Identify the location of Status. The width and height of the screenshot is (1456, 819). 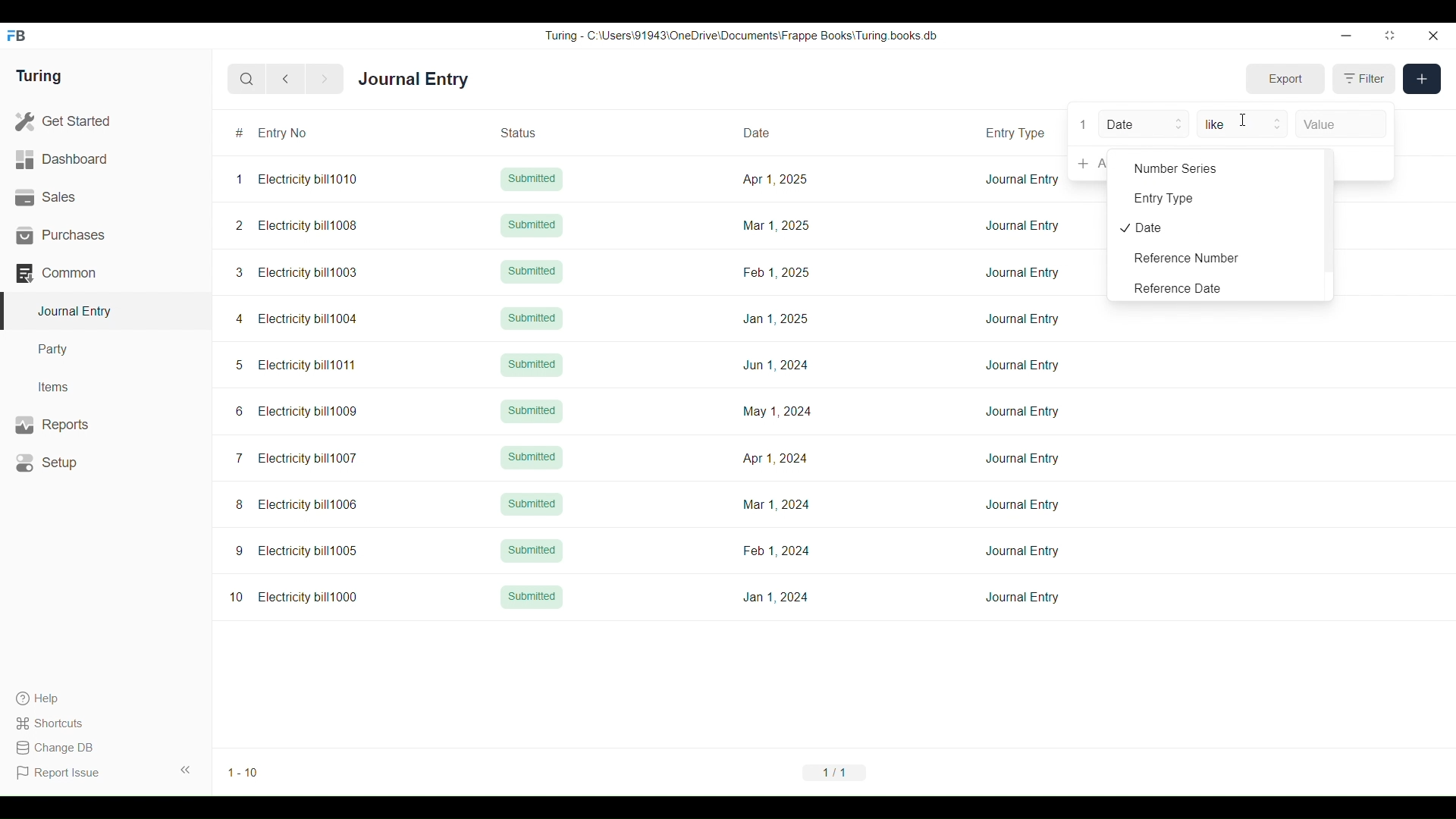
(536, 132).